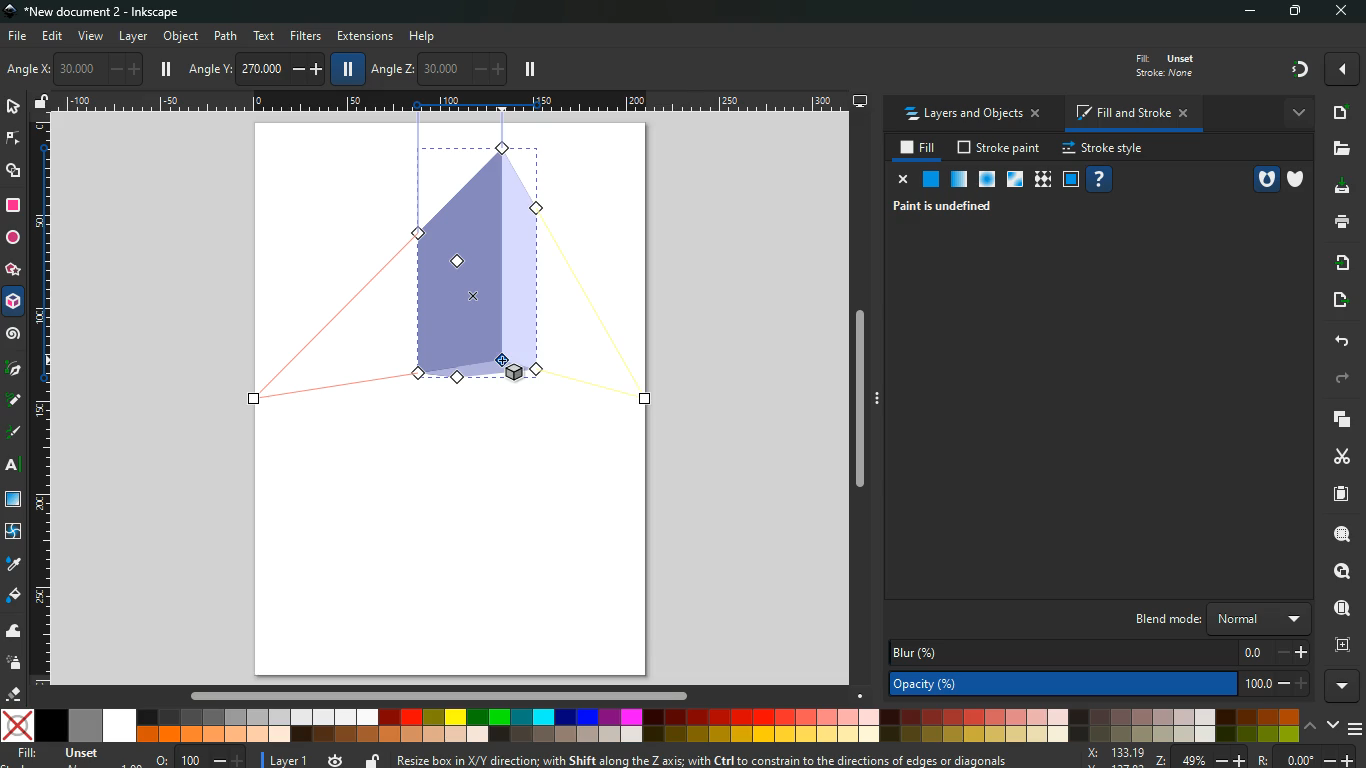 The width and height of the screenshot is (1366, 768). What do you see at coordinates (12, 206) in the screenshot?
I see `rectangle` at bounding box center [12, 206].